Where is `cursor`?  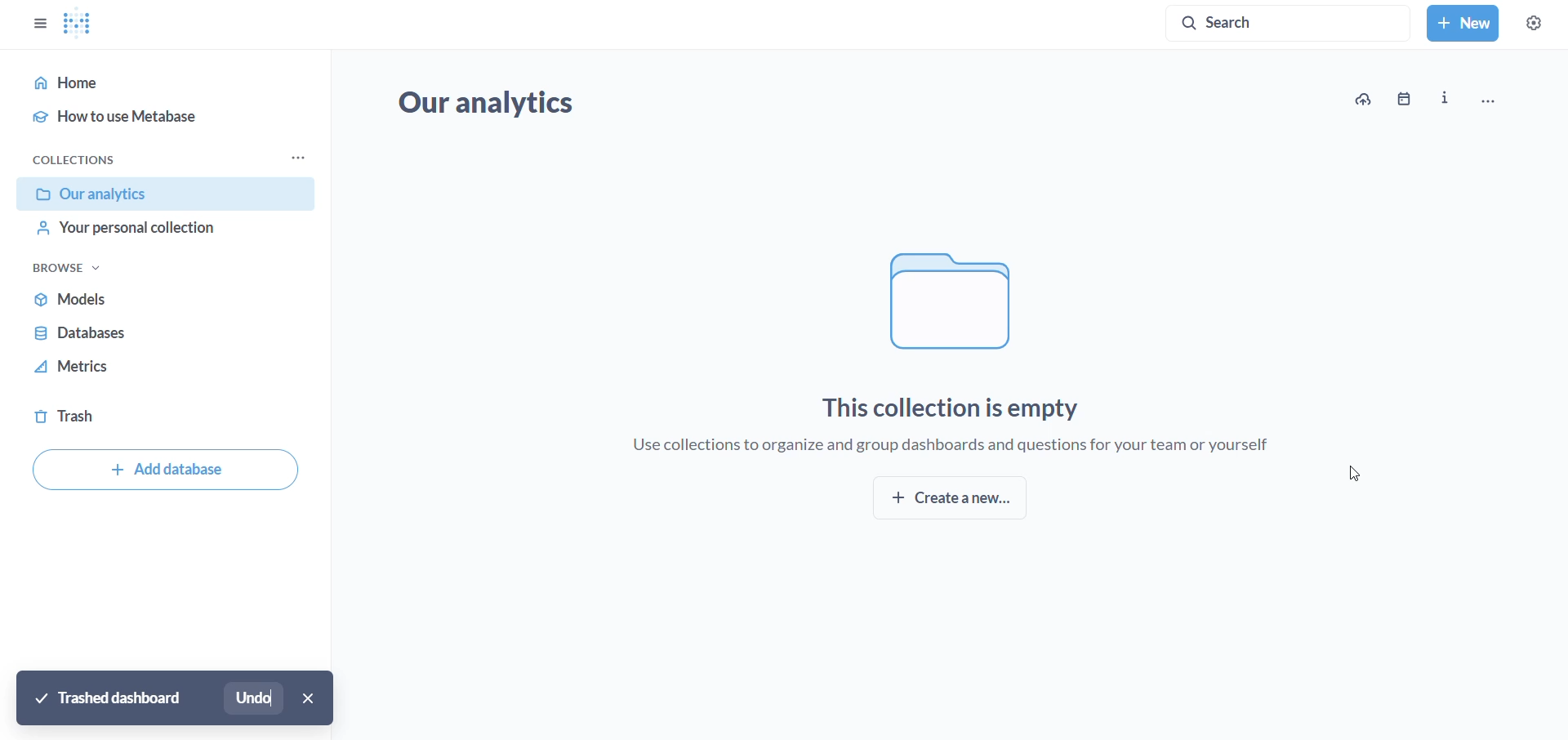
cursor is located at coordinates (1359, 473).